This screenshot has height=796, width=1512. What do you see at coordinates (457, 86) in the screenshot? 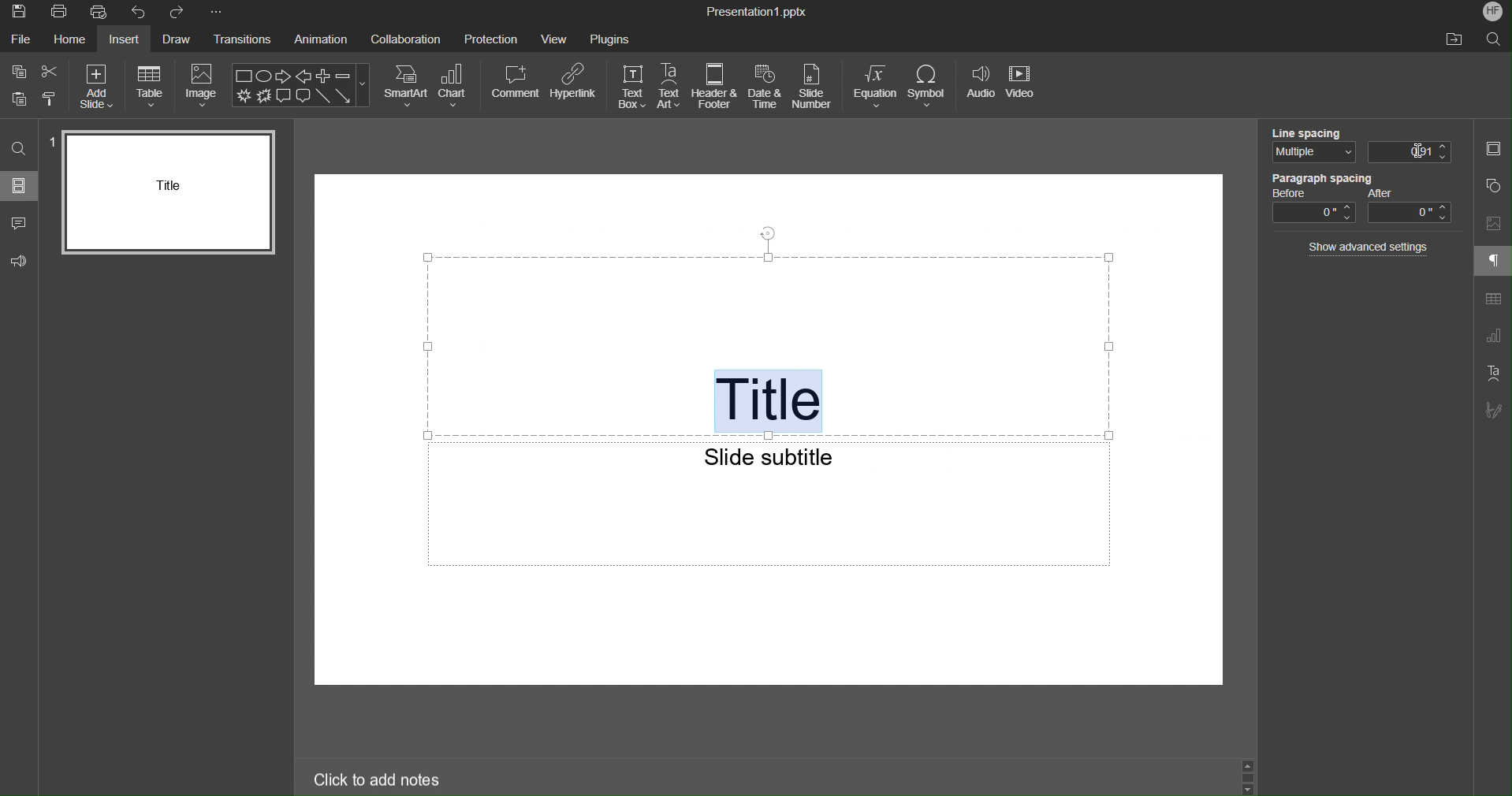
I see `Chart` at bounding box center [457, 86].